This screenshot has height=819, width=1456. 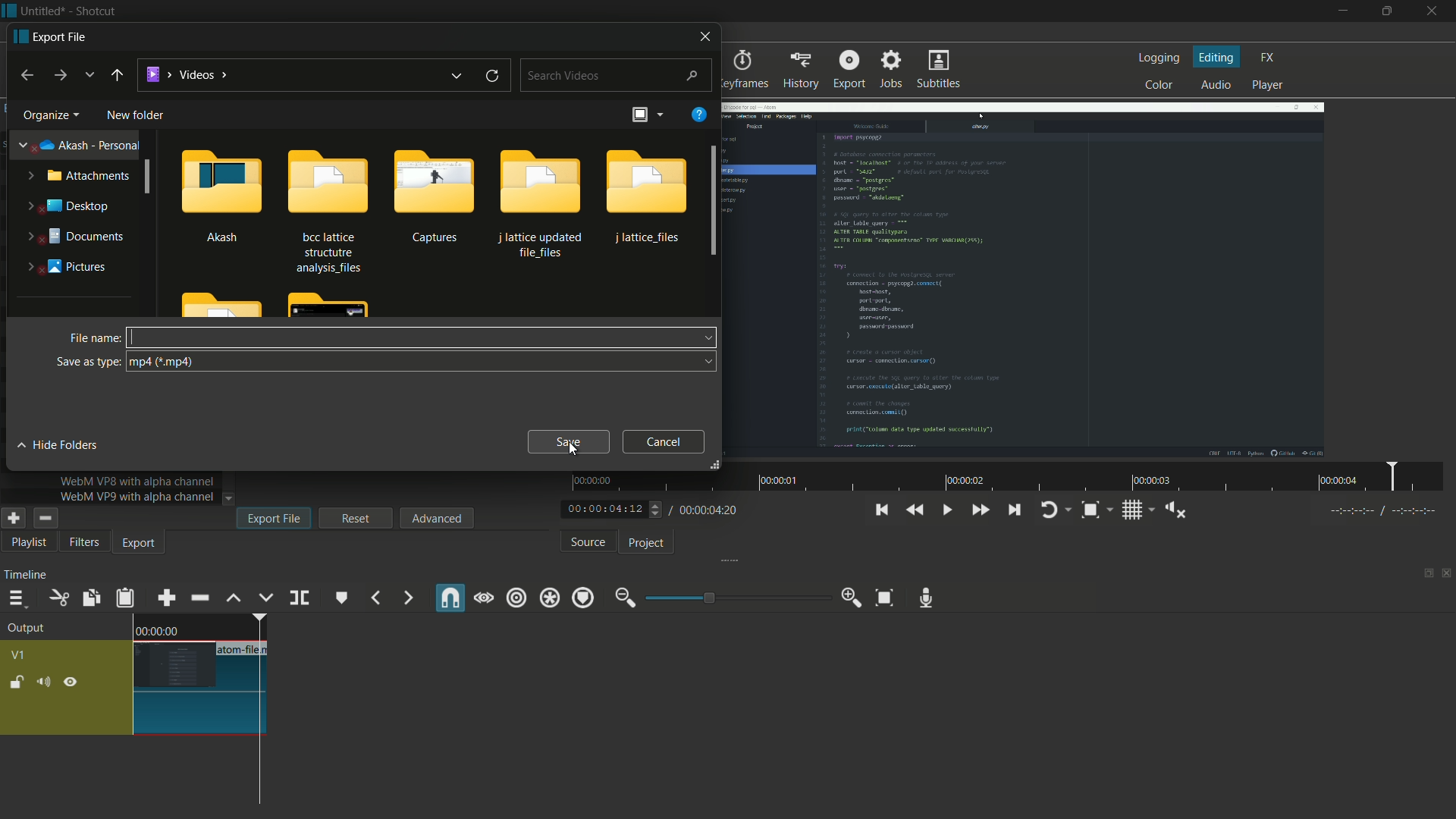 What do you see at coordinates (1216, 85) in the screenshot?
I see `audio` at bounding box center [1216, 85].